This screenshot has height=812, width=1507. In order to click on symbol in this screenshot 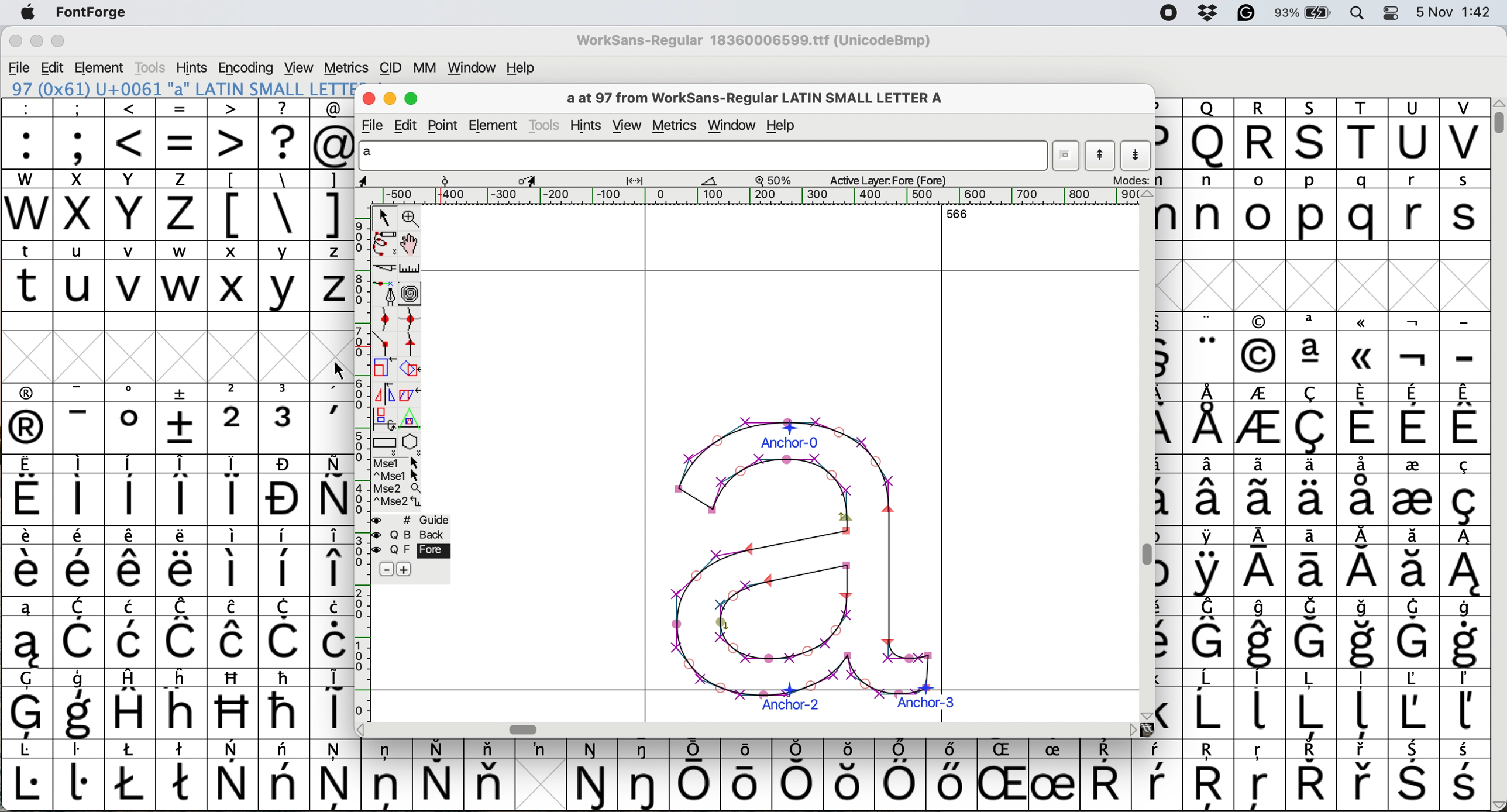, I will do `click(1463, 490)`.